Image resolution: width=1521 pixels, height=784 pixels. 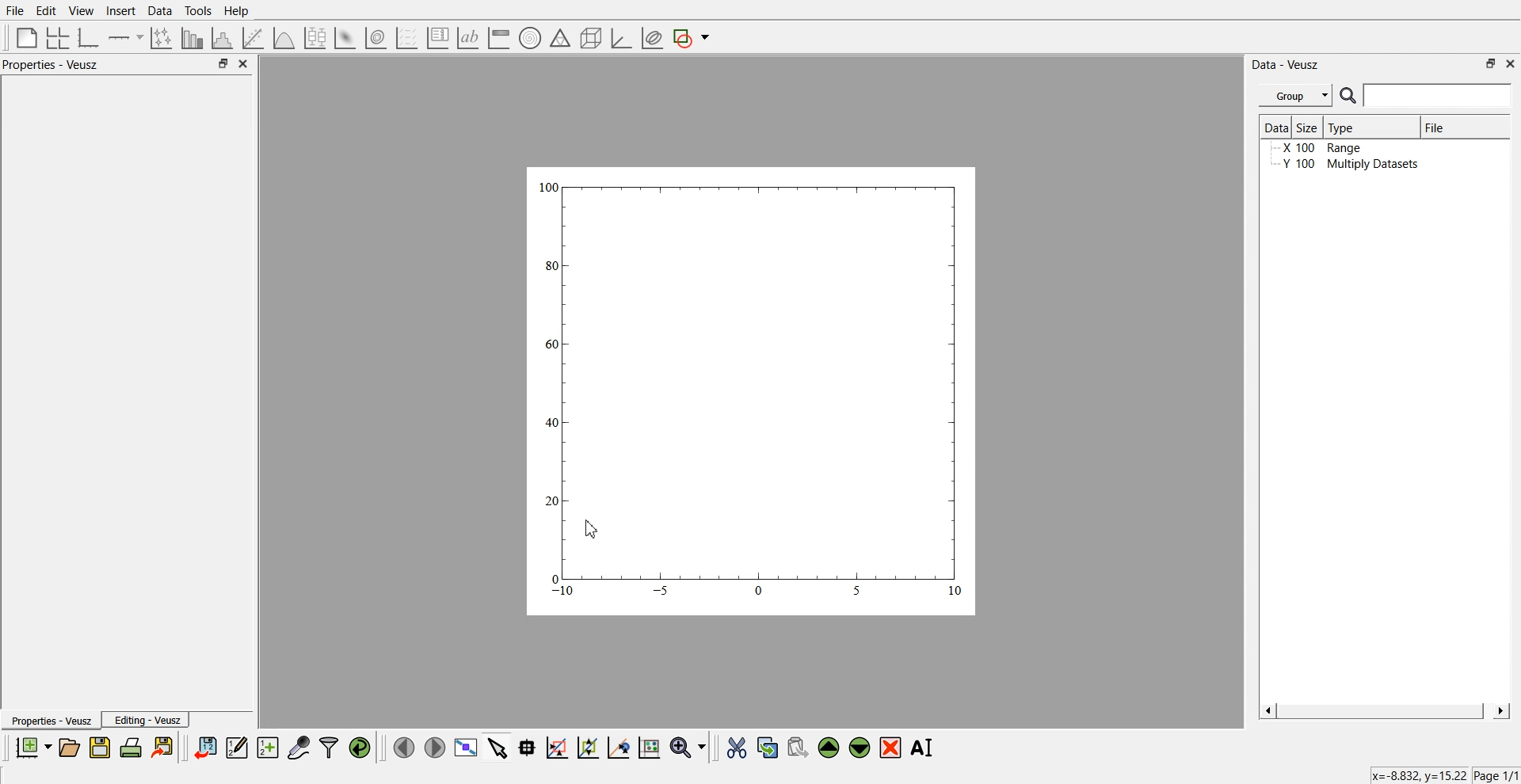 I want to click on base graphs, so click(x=90, y=37).